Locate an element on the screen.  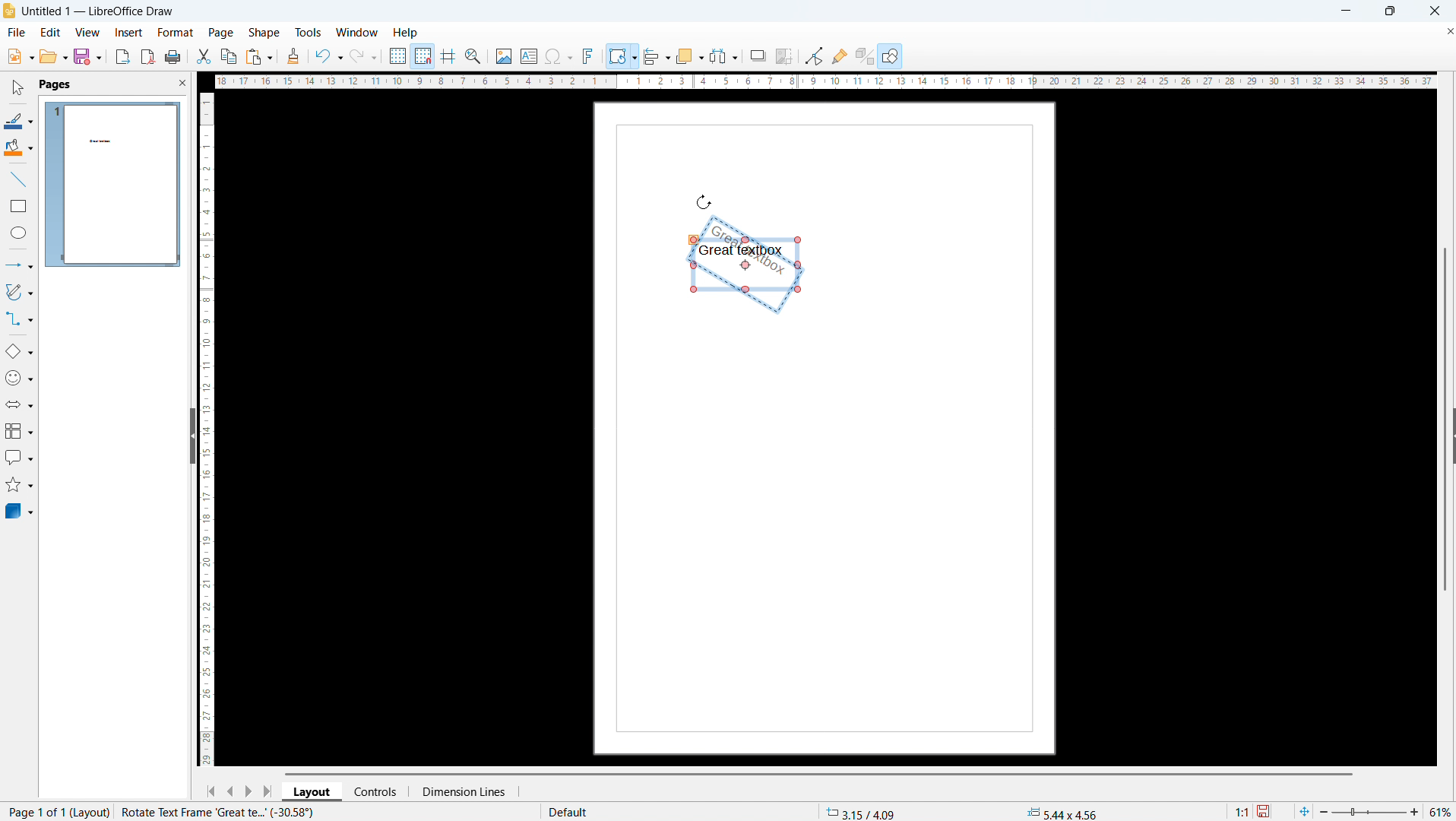
Go to last page is located at coordinates (270, 790).